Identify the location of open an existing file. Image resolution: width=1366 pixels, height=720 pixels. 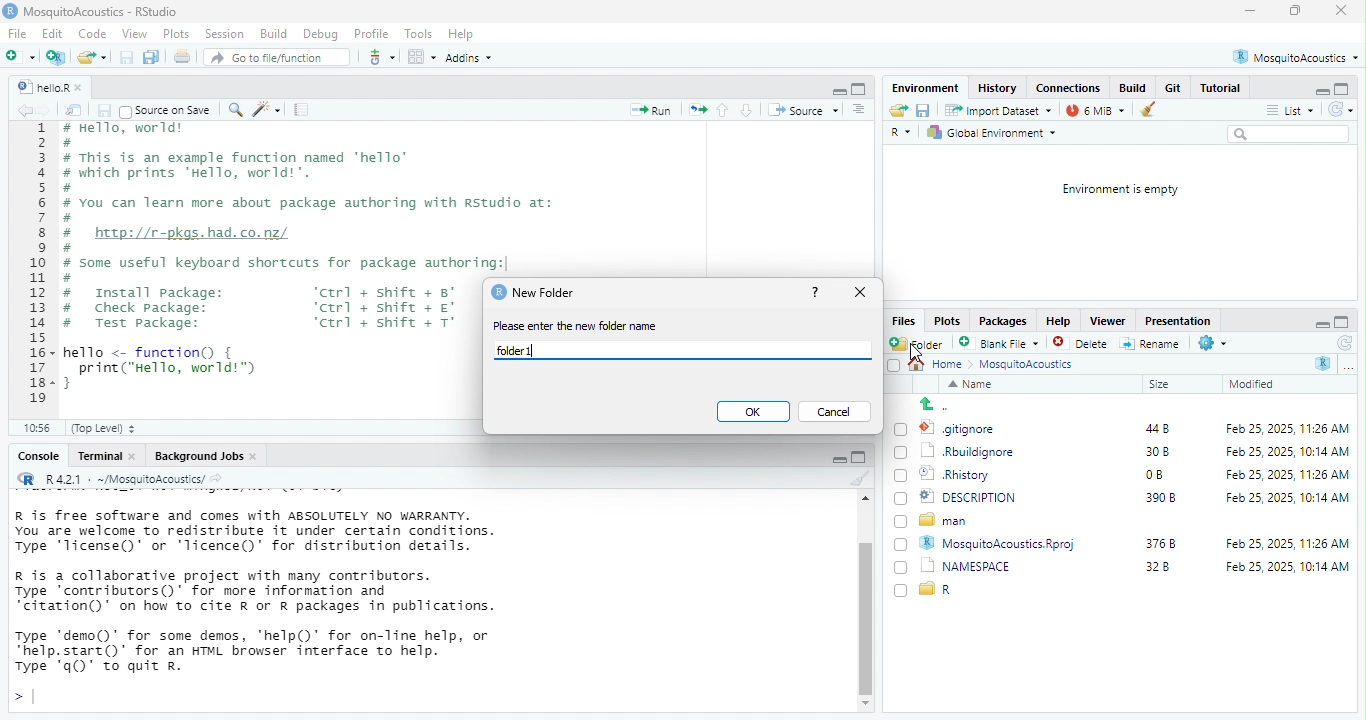
(93, 57).